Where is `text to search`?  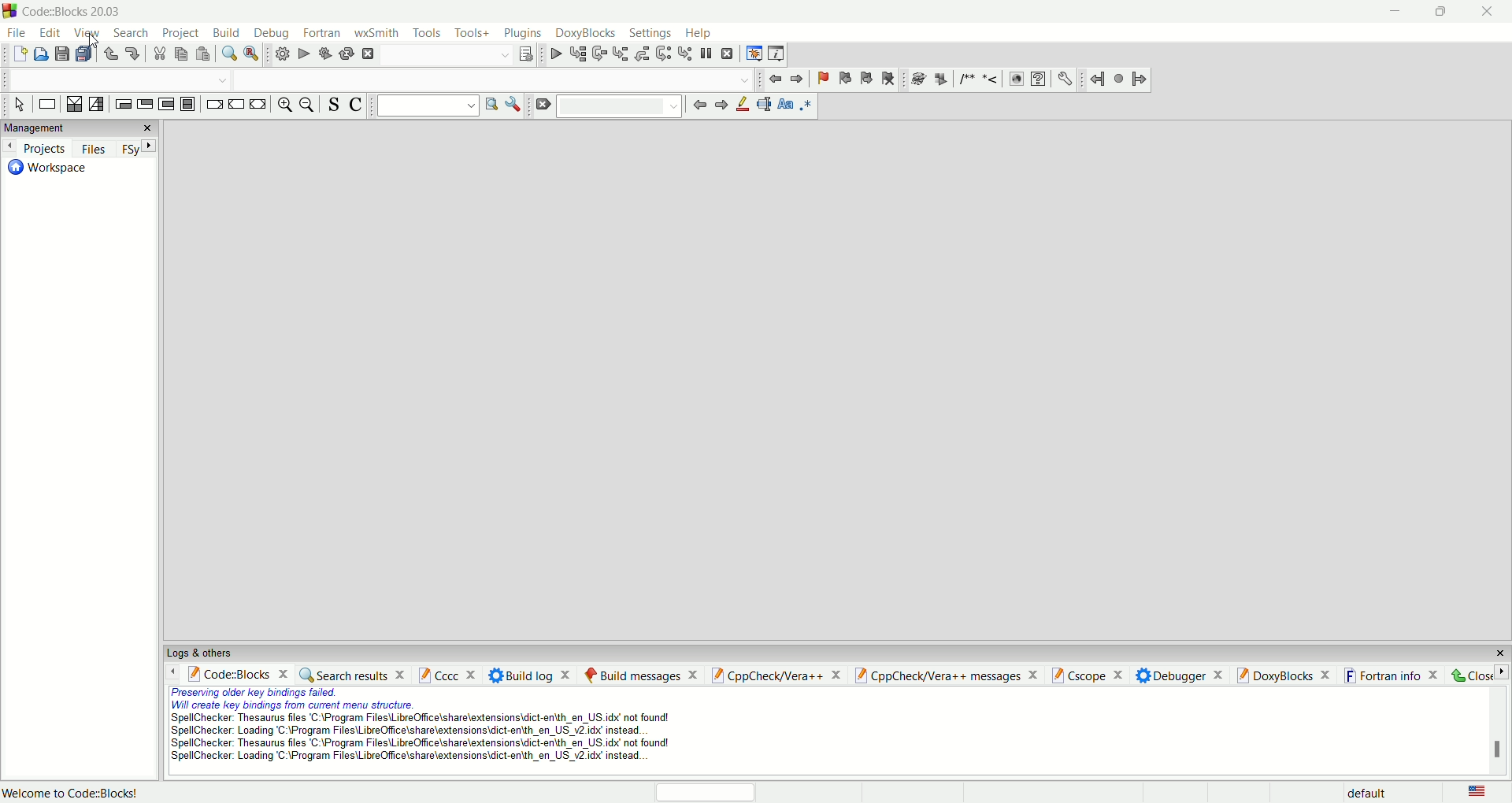 text to search is located at coordinates (427, 107).